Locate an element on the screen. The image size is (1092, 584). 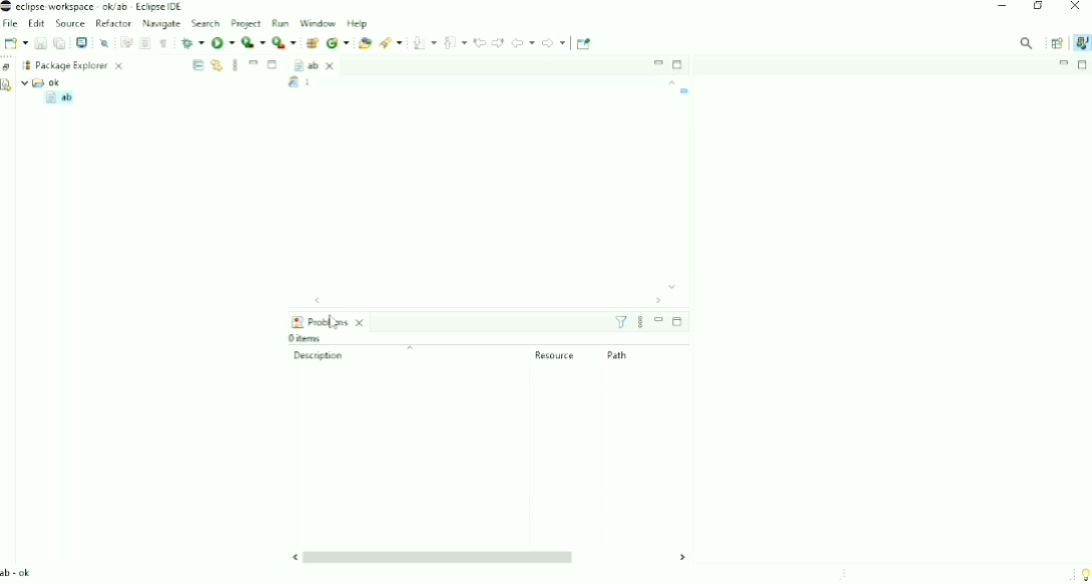
Package Explorer is located at coordinates (80, 65).